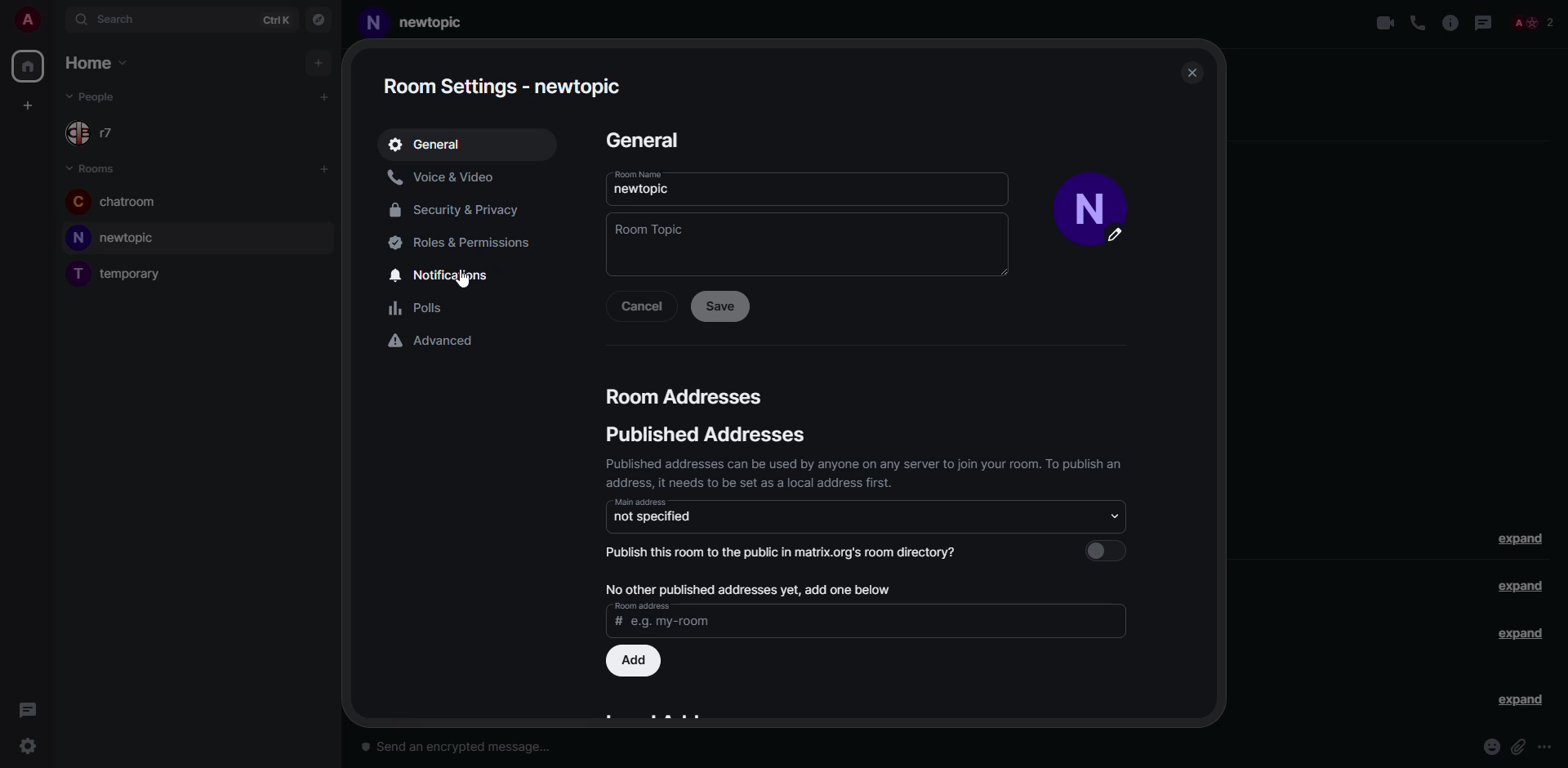  I want to click on select, so click(1117, 516).